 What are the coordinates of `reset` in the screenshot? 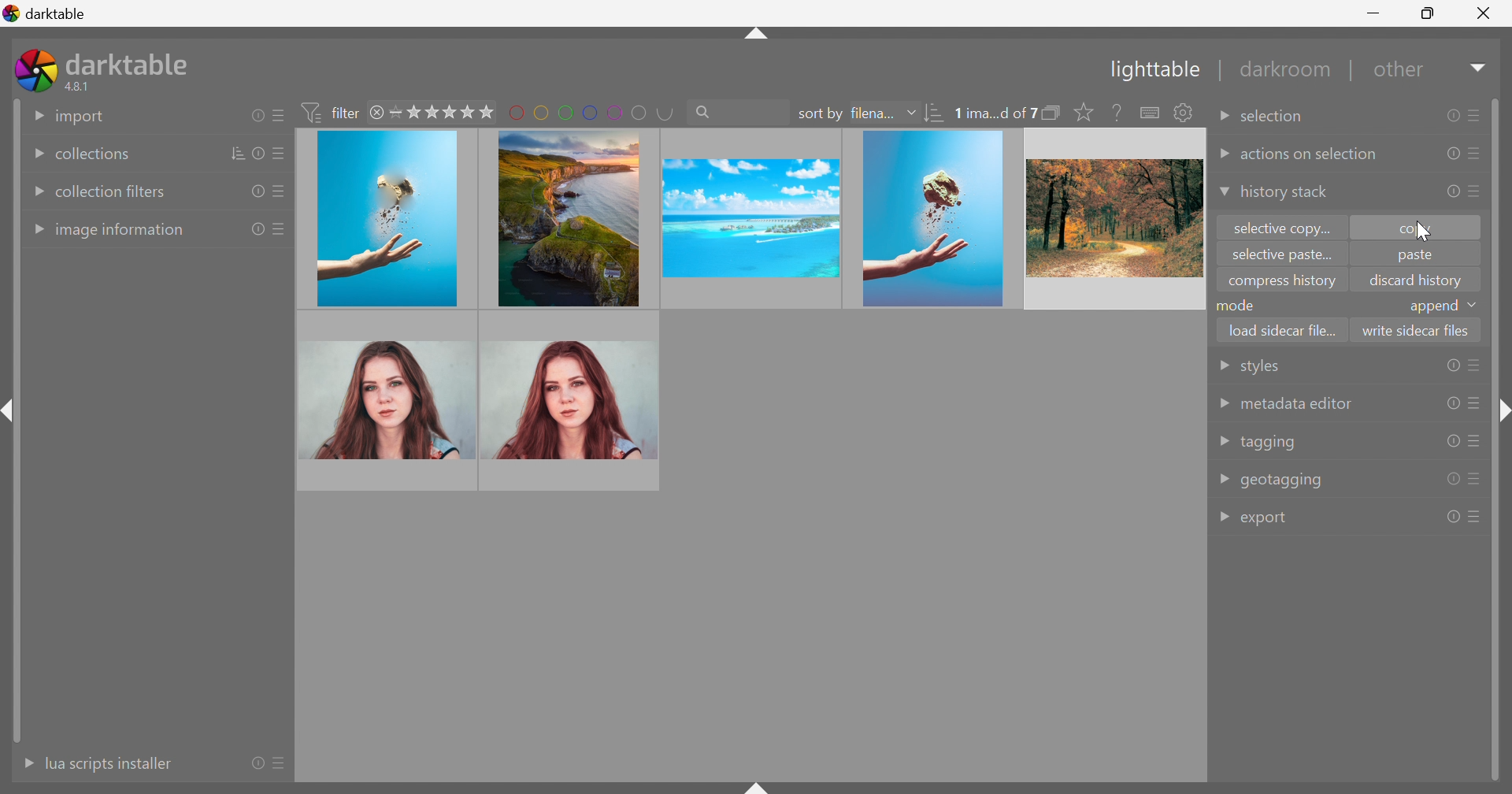 It's located at (1453, 517).